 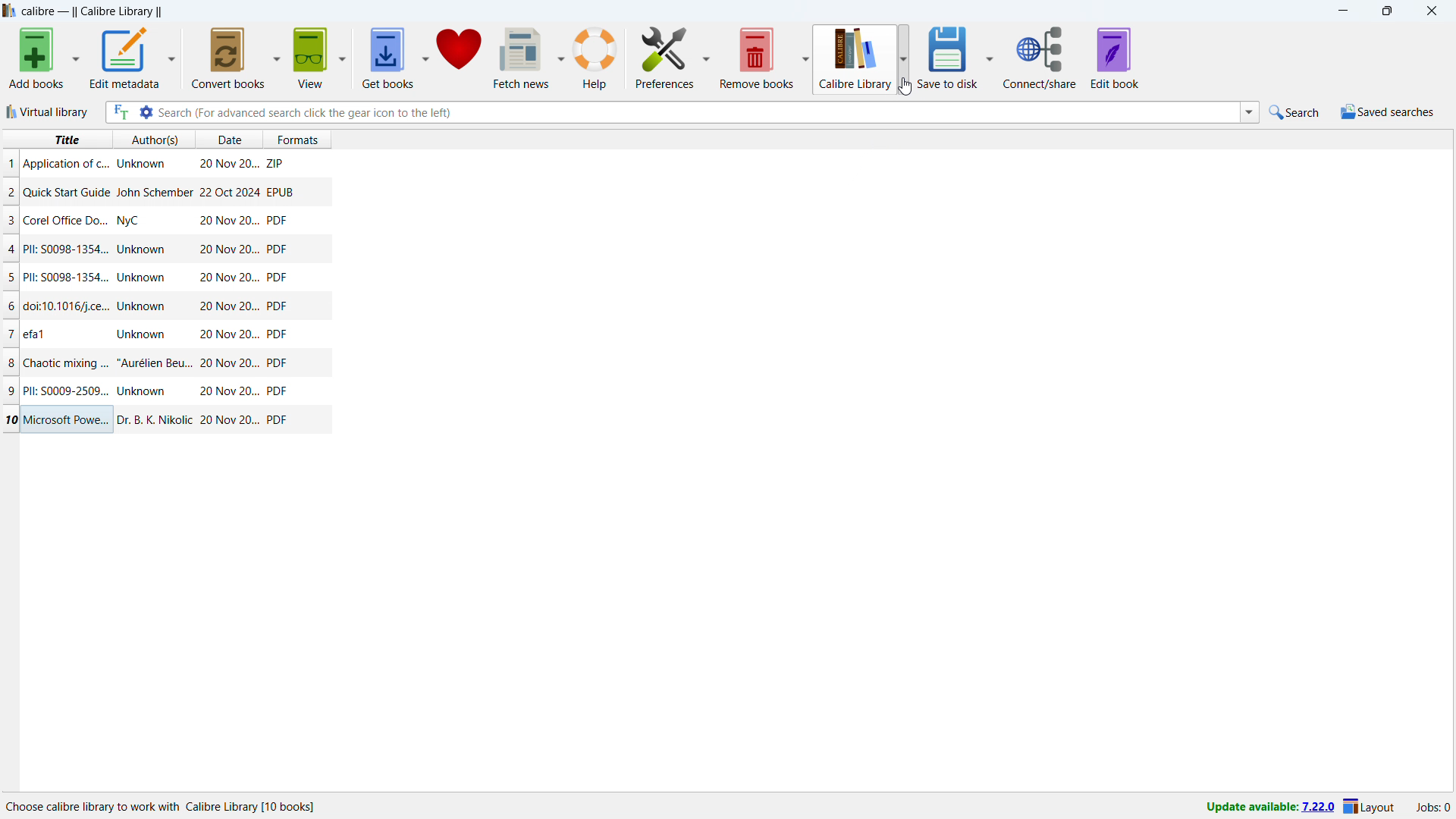 What do you see at coordinates (49, 111) in the screenshot?
I see `virtual library` at bounding box center [49, 111].